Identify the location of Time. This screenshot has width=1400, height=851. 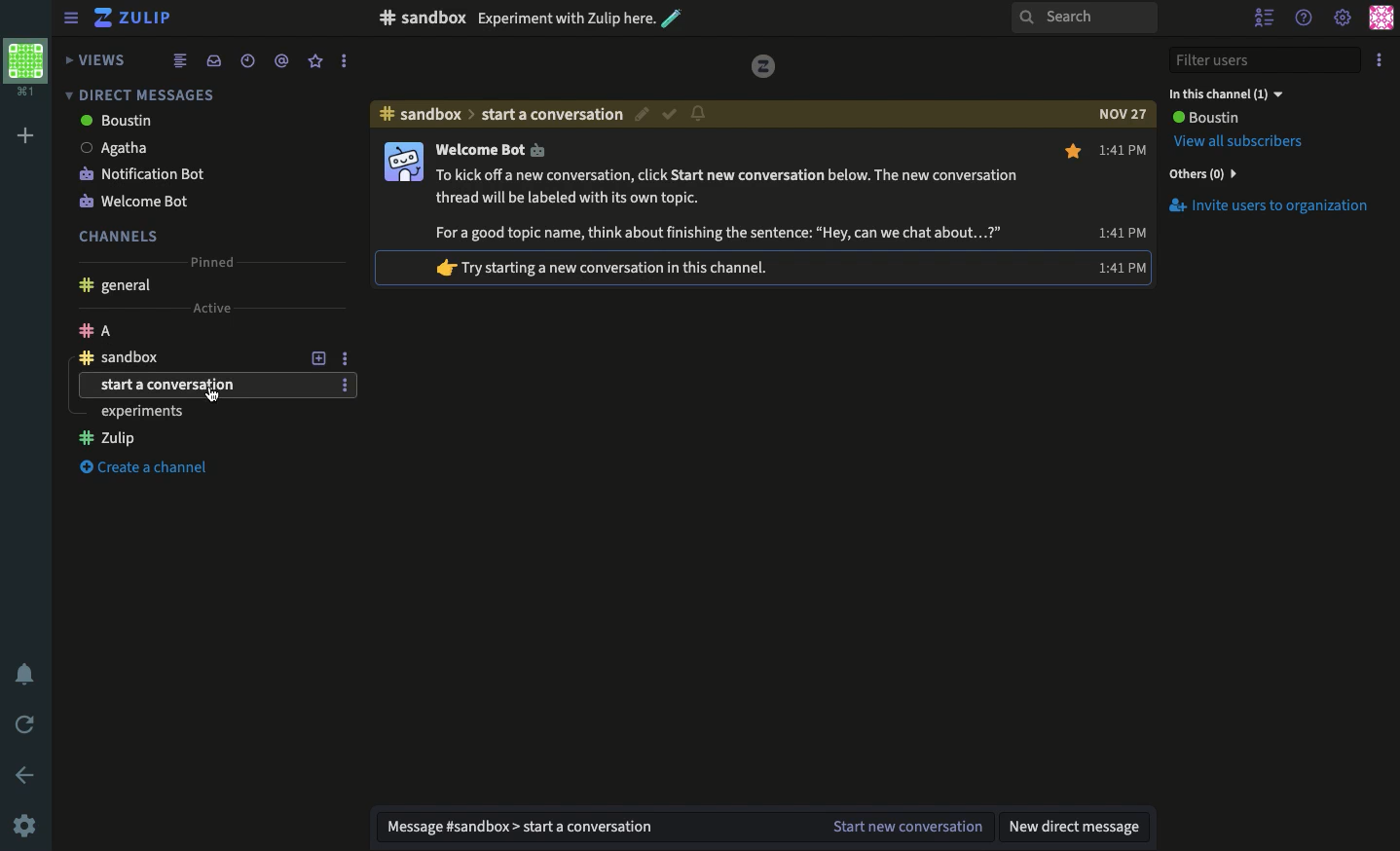
(1124, 147).